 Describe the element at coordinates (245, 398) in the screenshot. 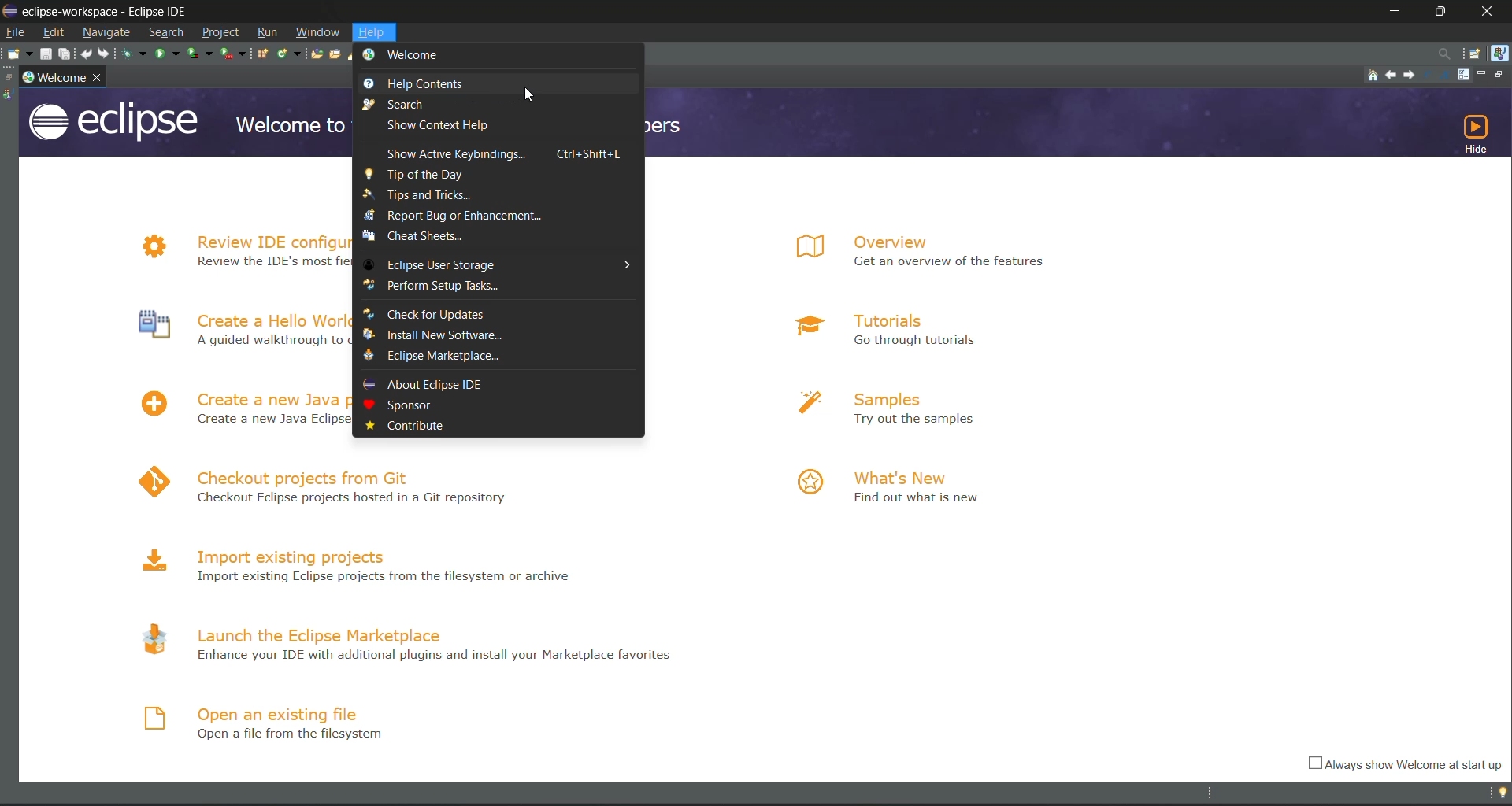

I see `create a new project` at that location.